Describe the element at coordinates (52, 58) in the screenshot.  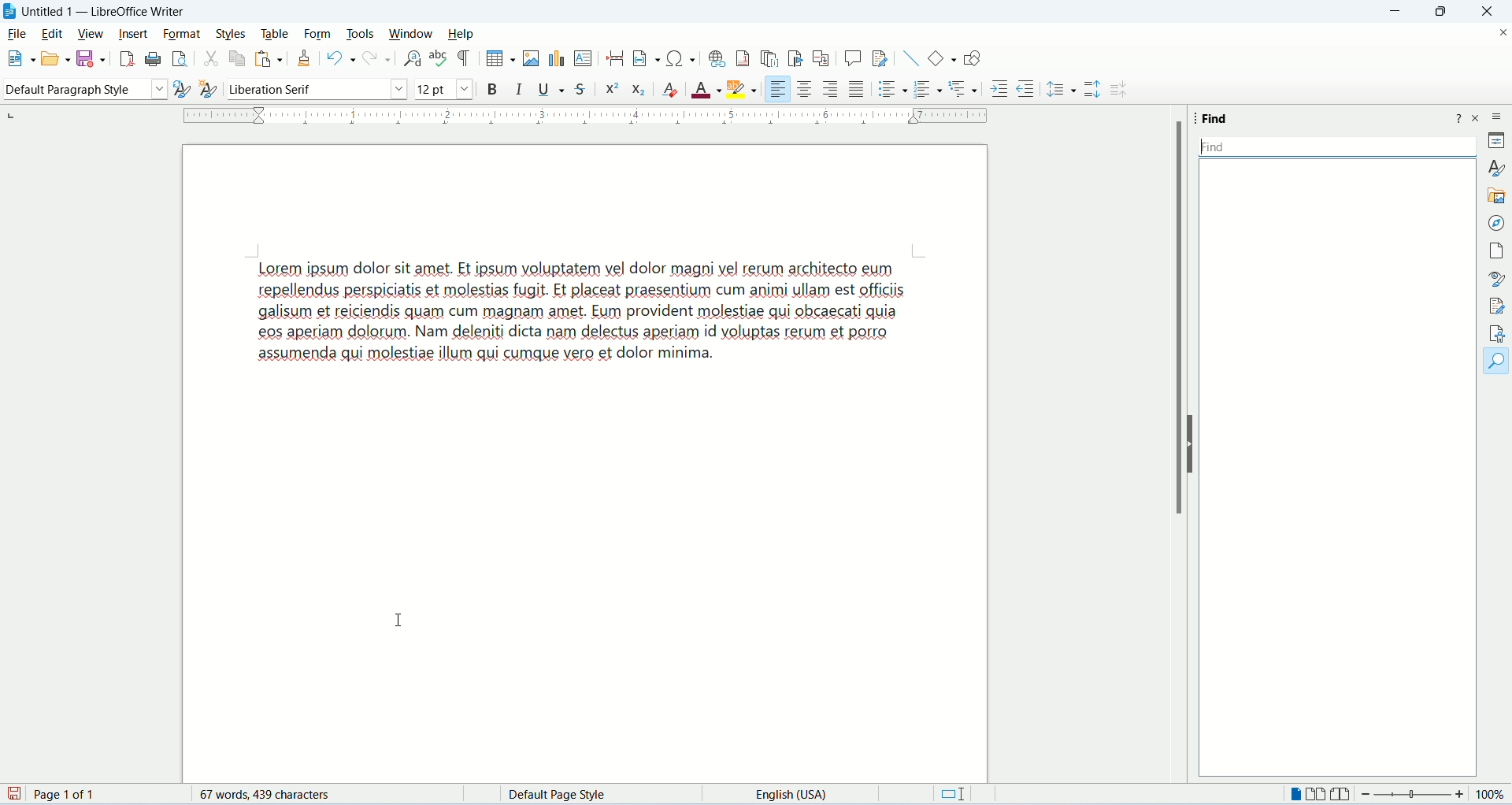
I see `open` at that location.